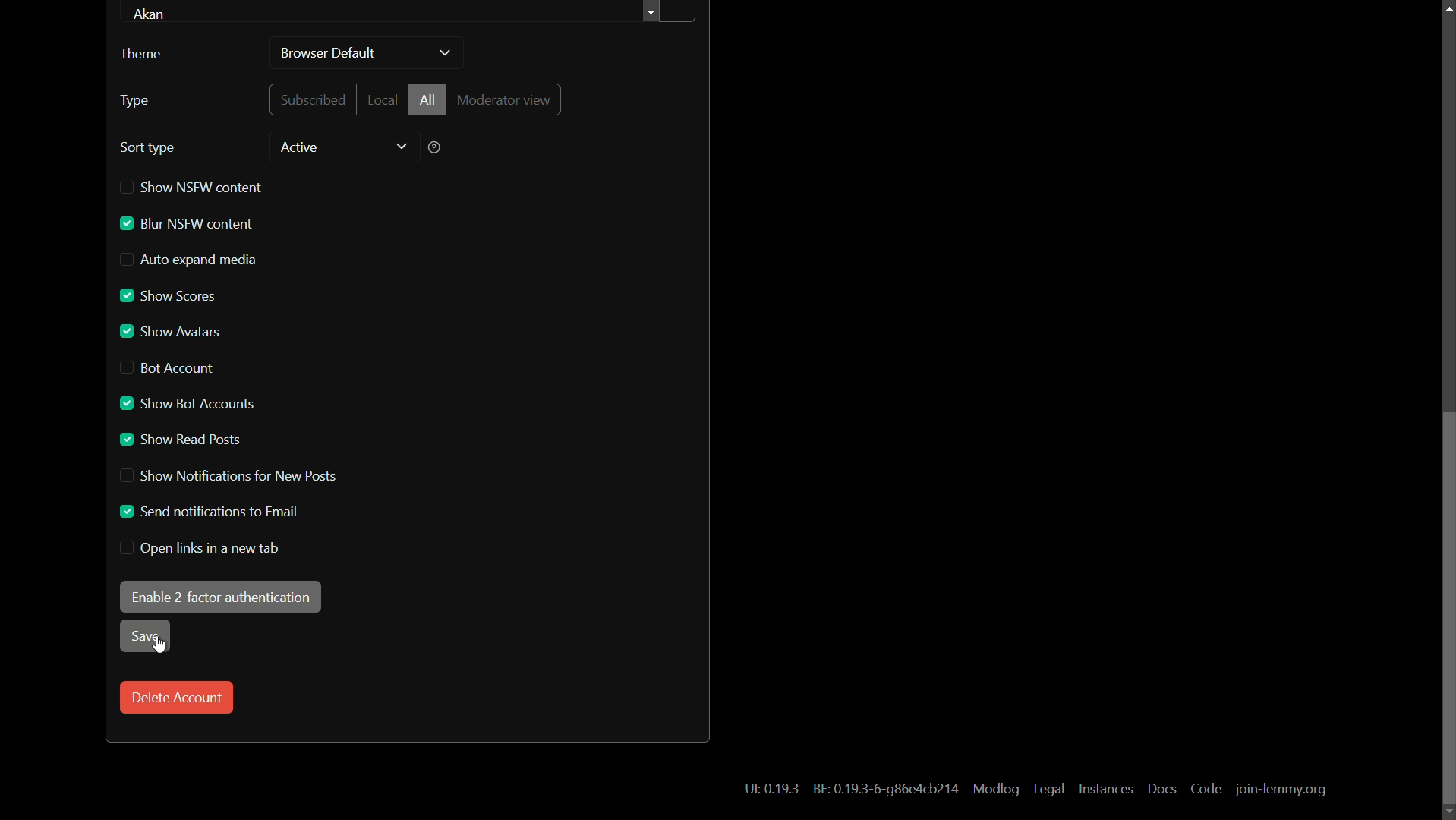 The height and width of the screenshot is (820, 1456). Describe the element at coordinates (996, 790) in the screenshot. I see `modlog` at that location.